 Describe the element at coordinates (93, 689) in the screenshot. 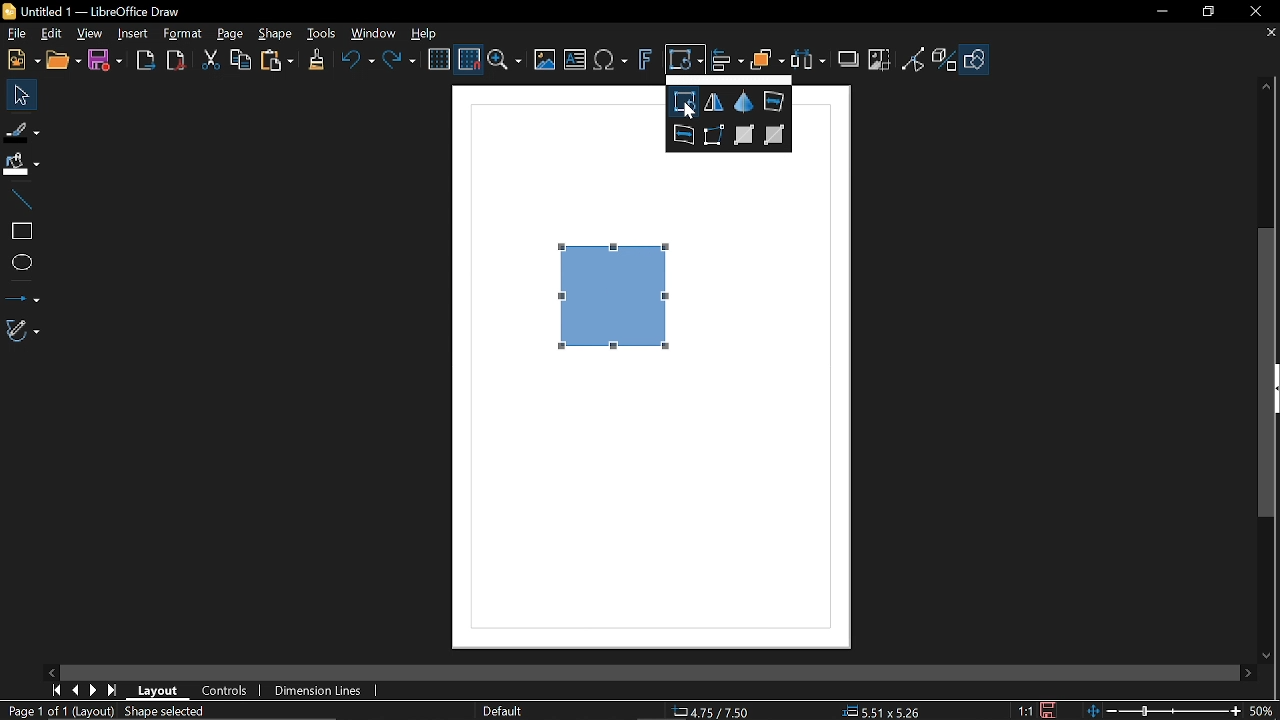

I see `next page` at that location.